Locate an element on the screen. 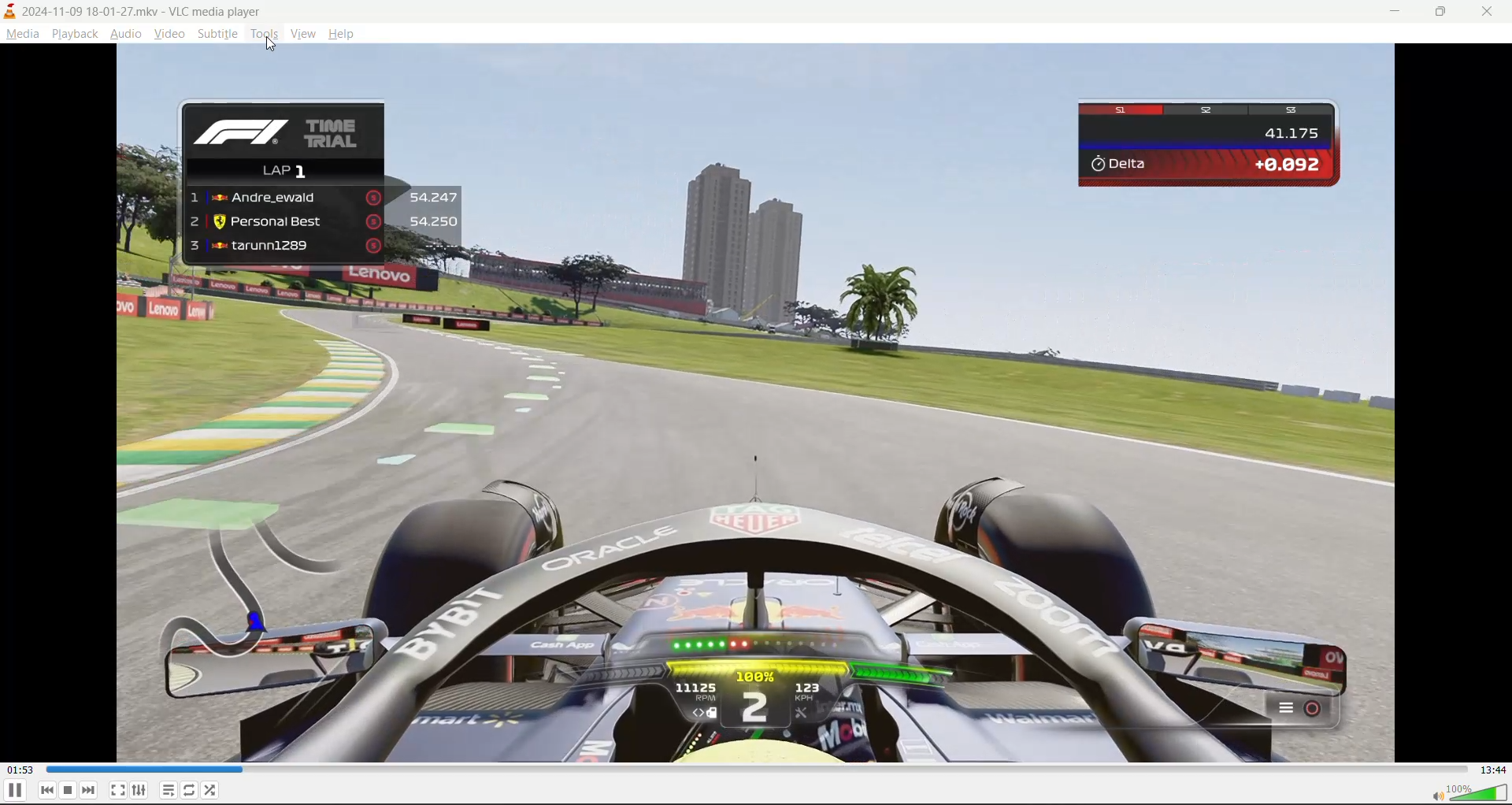 The width and height of the screenshot is (1512, 805). stop is located at coordinates (69, 790).